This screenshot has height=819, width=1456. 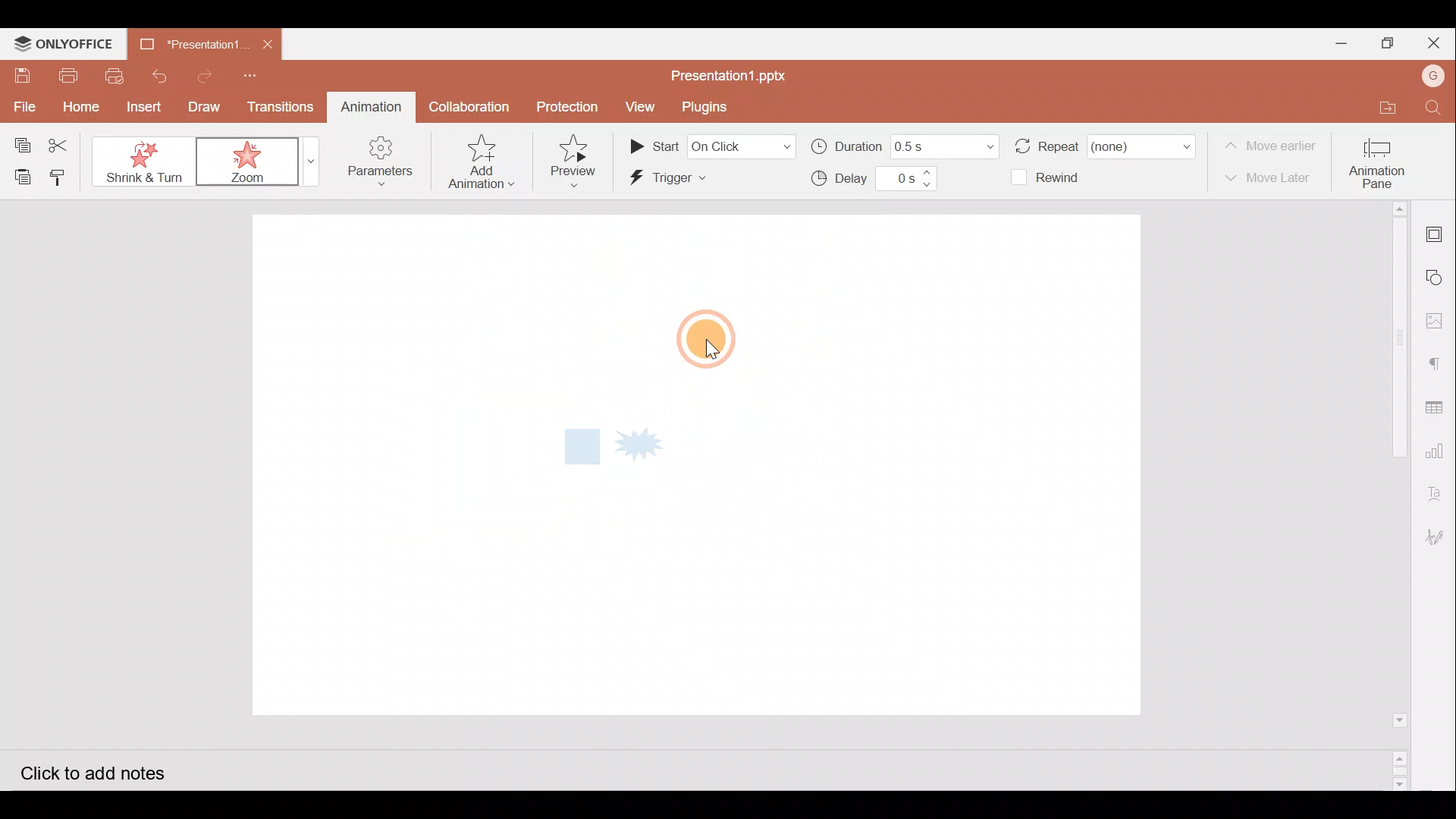 I want to click on Paragraph settings, so click(x=1437, y=362).